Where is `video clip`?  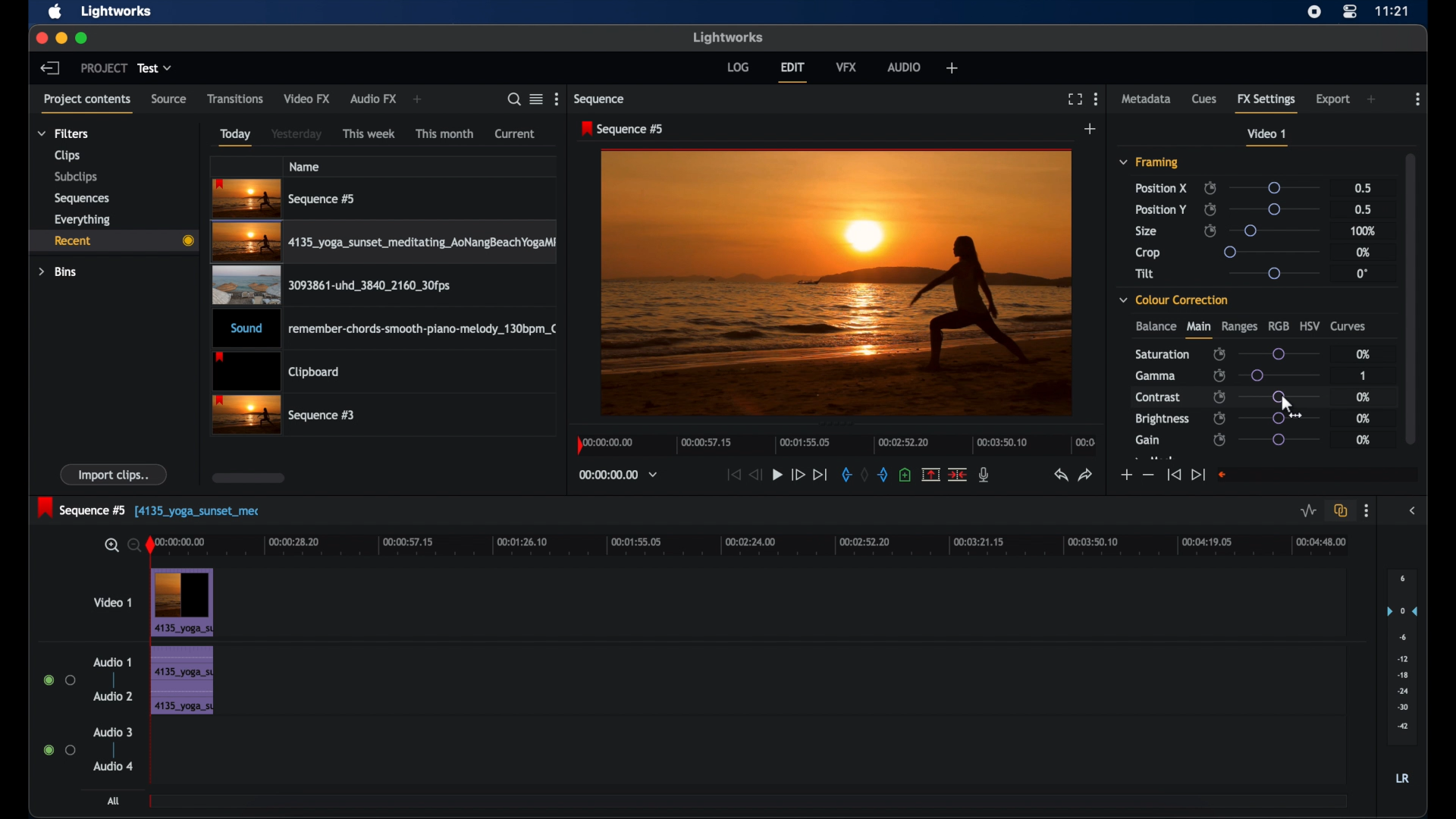 video clip is located at coordinates (184, 603).